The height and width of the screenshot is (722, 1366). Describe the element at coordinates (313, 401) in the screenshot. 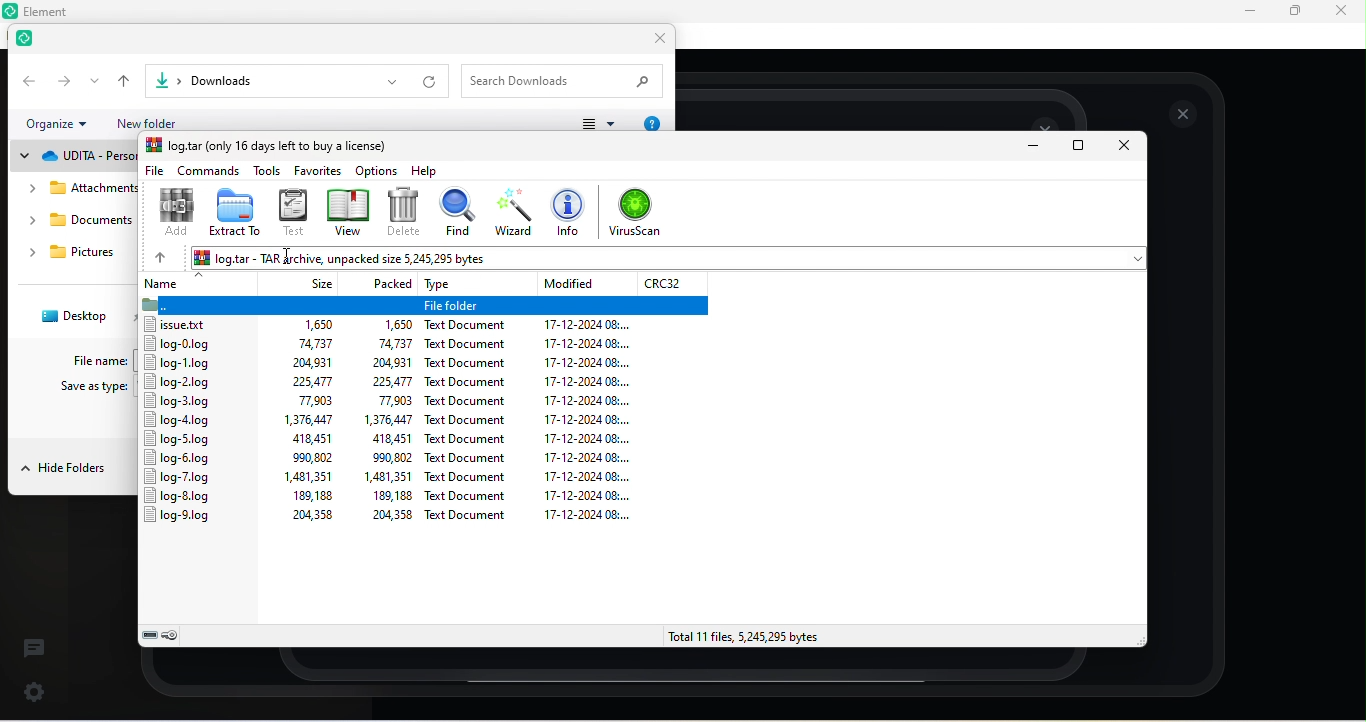

I see `77,903` at that location.